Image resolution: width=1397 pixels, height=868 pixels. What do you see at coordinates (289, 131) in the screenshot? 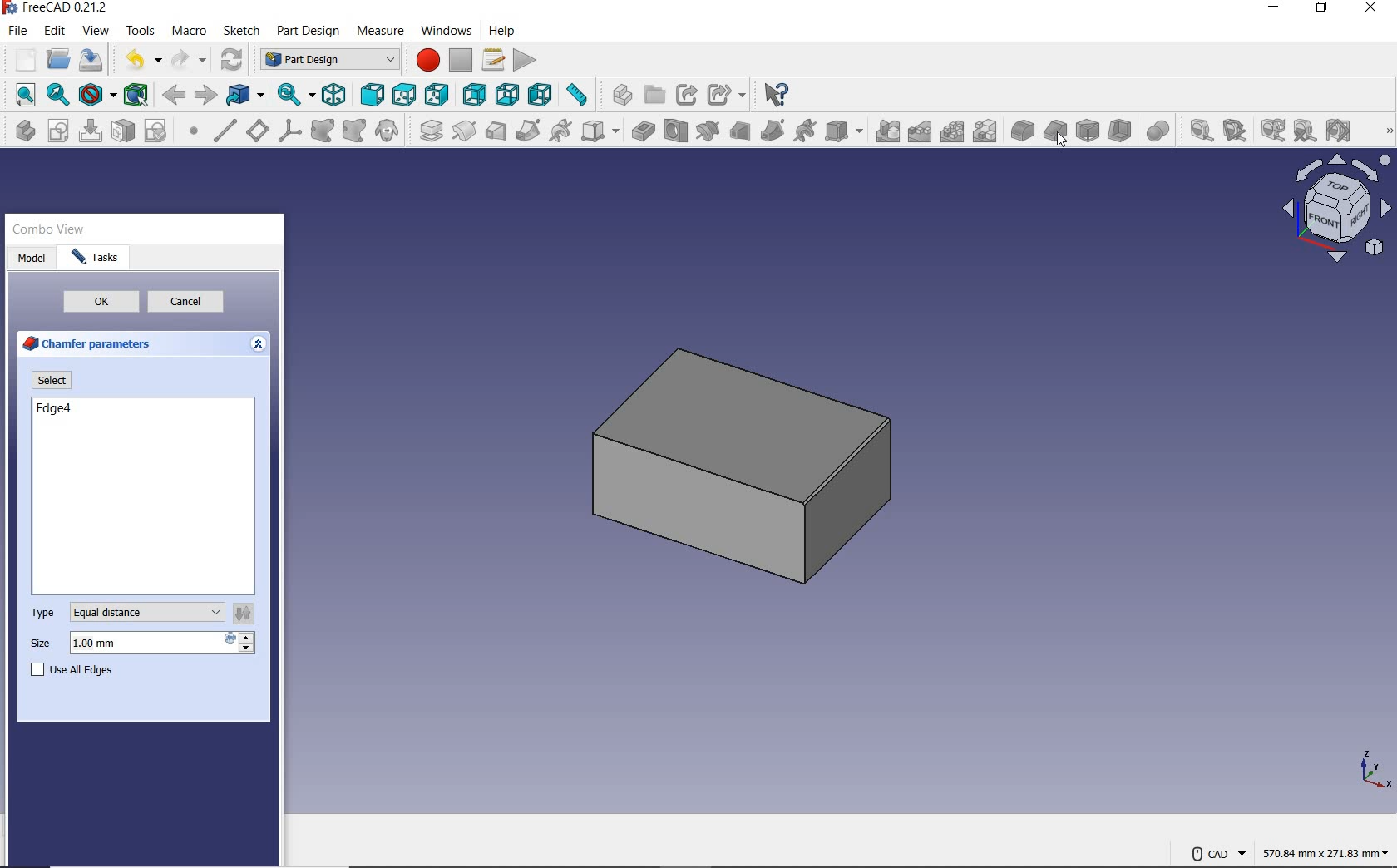
I see `create a local coordinate system` at bounding box center [289, 131].